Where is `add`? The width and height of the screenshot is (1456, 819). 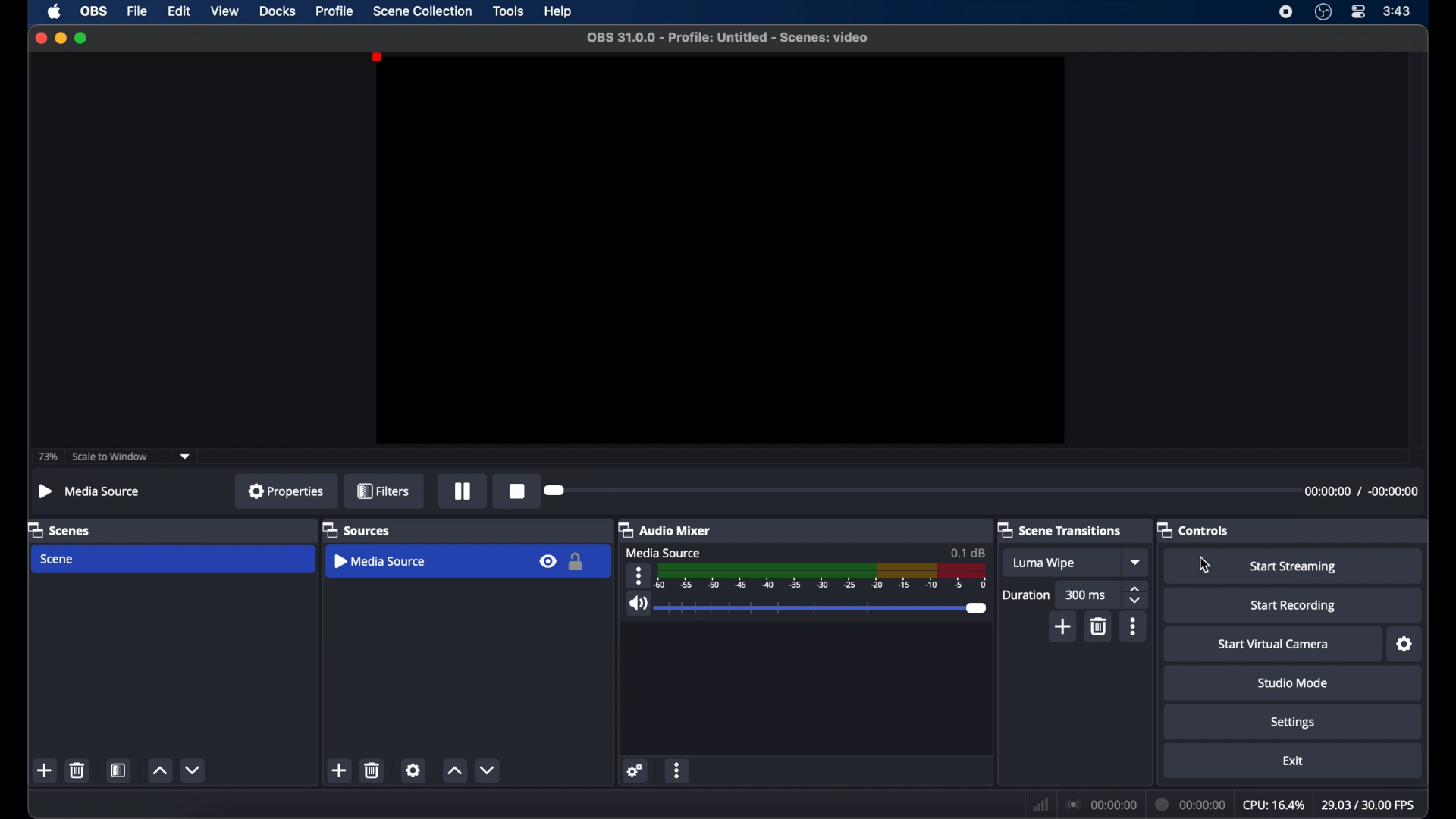 add is located at coordinates (338, 770).